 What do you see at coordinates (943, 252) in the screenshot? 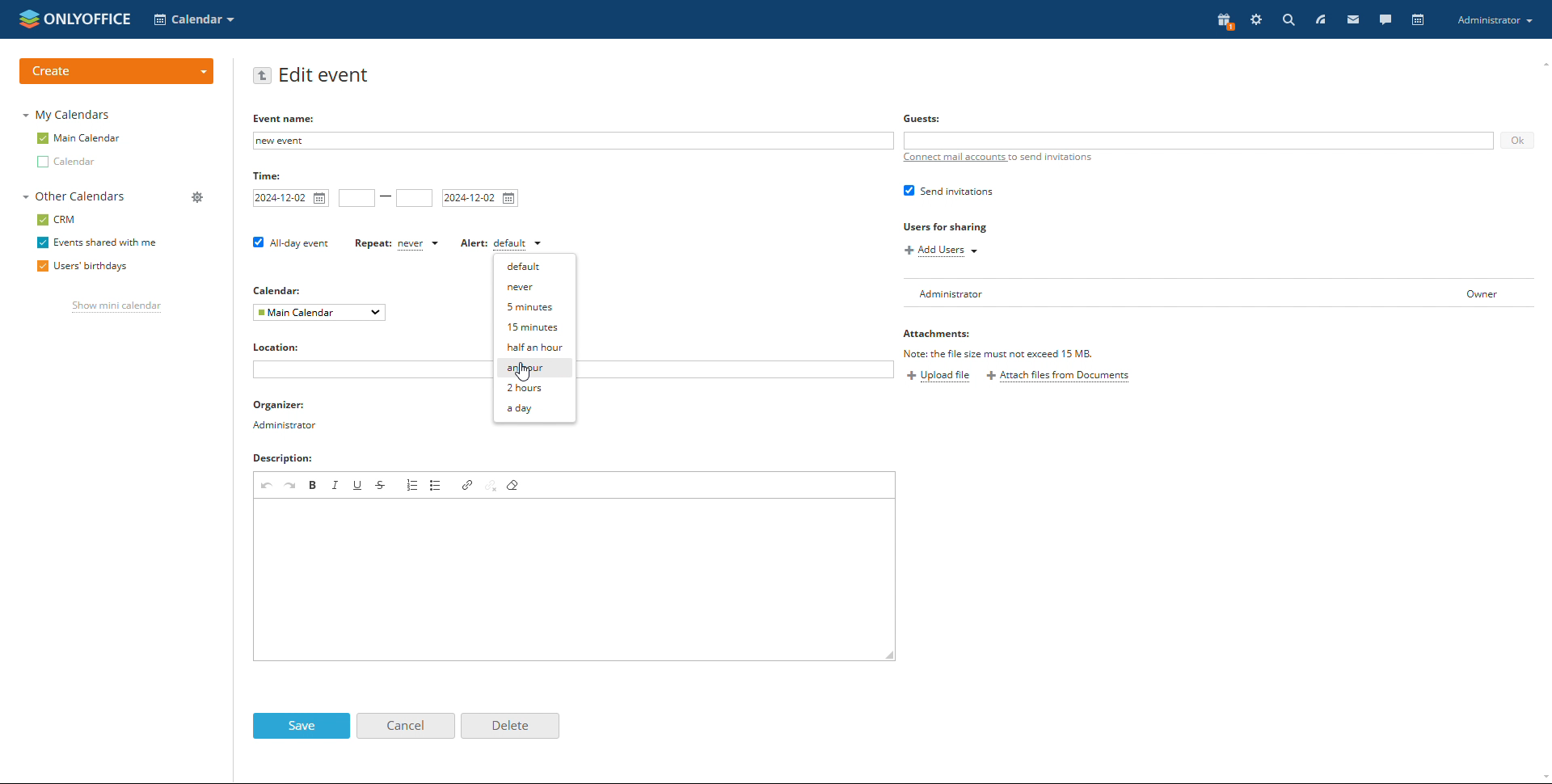
I see `add users` at bounding box center [943, 252].